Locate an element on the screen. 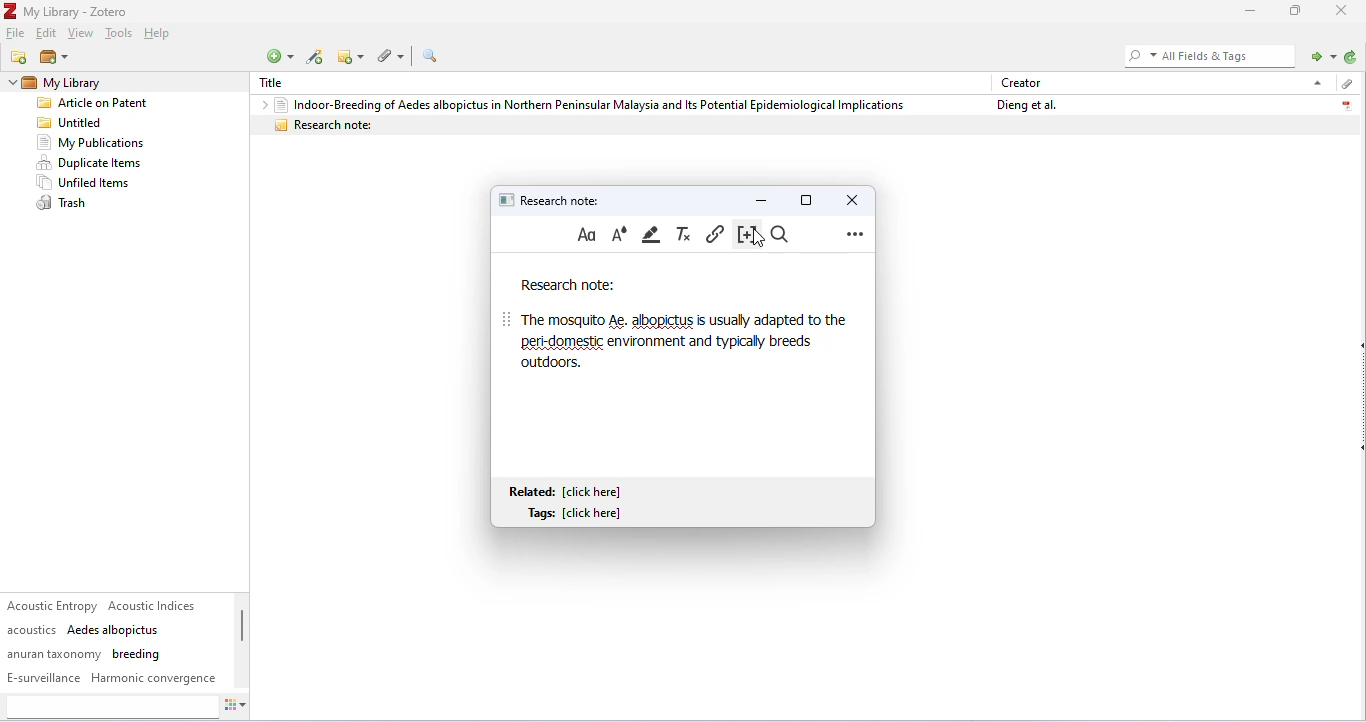  insert link is located at coordinates (715, 233).